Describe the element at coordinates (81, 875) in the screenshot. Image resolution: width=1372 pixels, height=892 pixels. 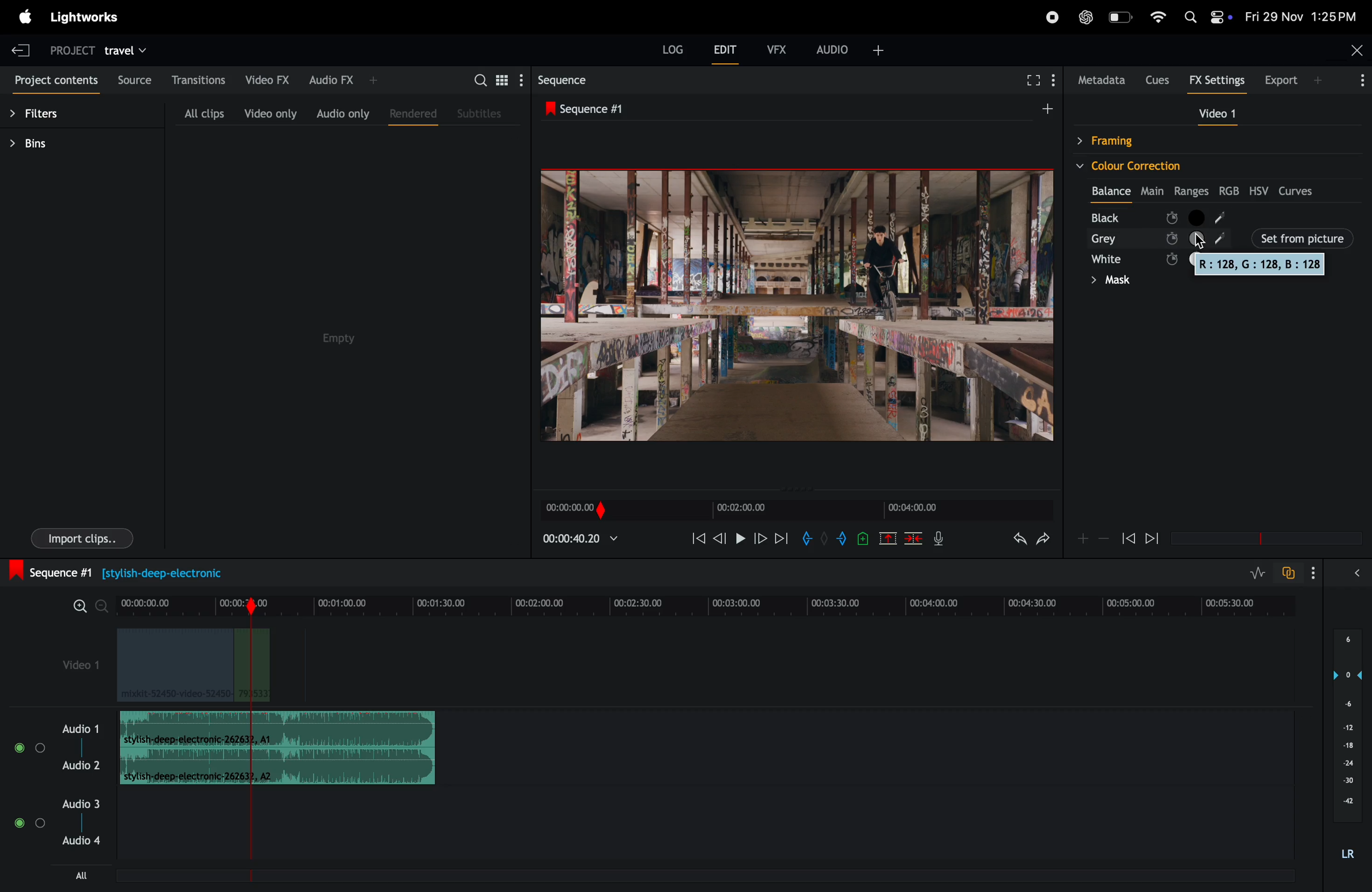
I see `all` at that location.